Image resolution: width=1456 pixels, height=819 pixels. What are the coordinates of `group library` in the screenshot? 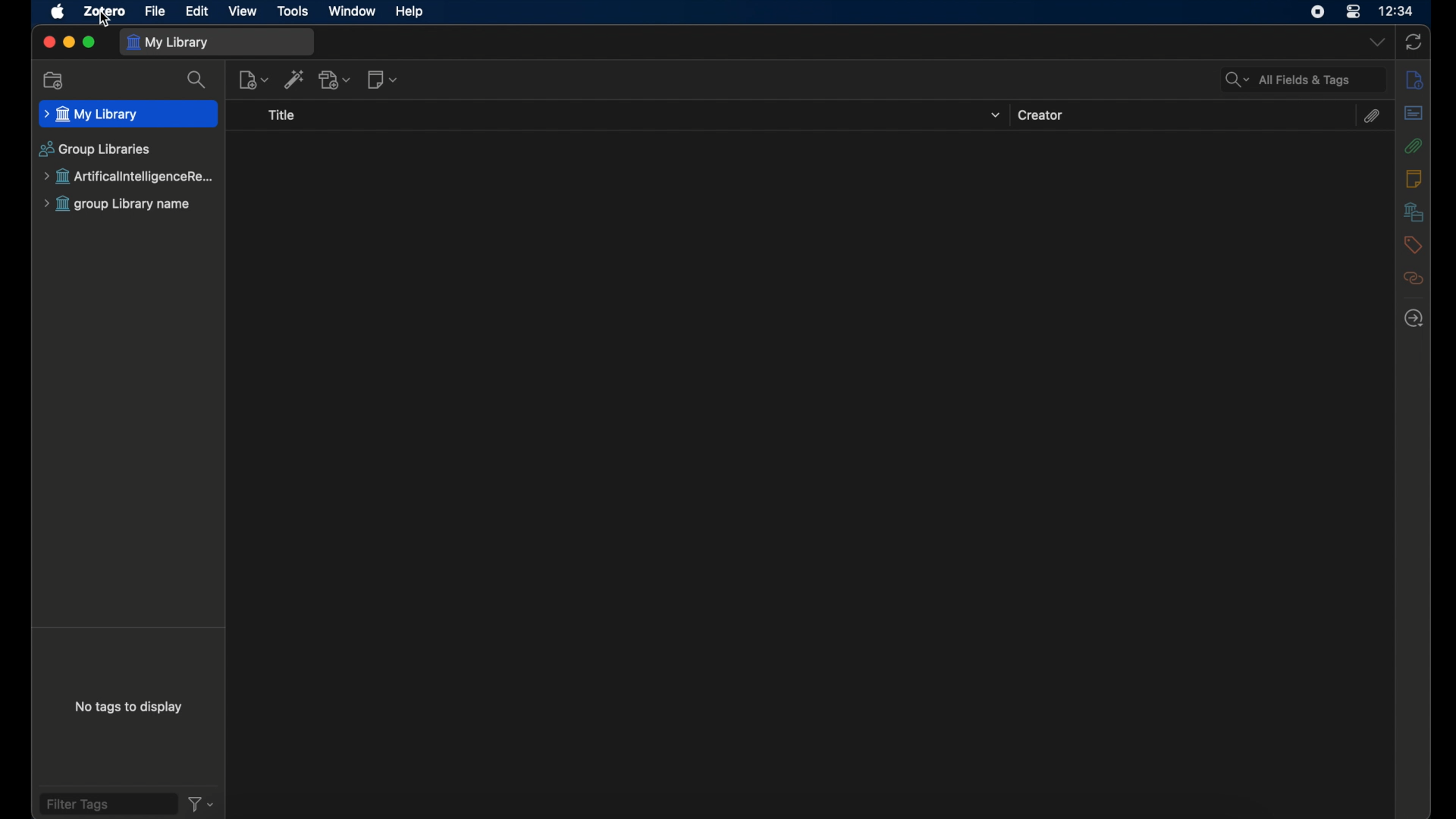 It's located at (131, 177).